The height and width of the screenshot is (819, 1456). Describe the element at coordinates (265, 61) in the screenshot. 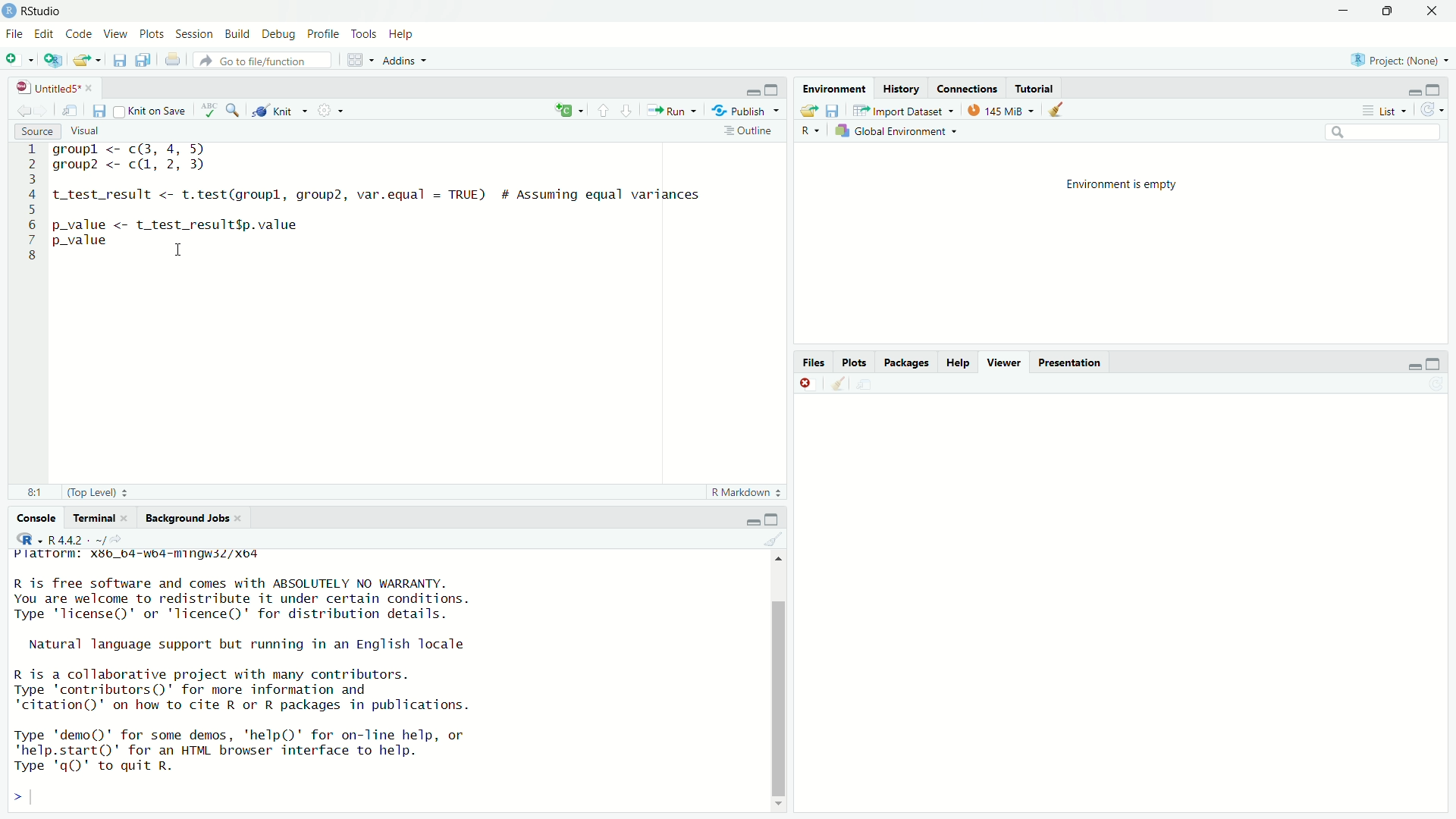

I see `Go to file/function` at that location.